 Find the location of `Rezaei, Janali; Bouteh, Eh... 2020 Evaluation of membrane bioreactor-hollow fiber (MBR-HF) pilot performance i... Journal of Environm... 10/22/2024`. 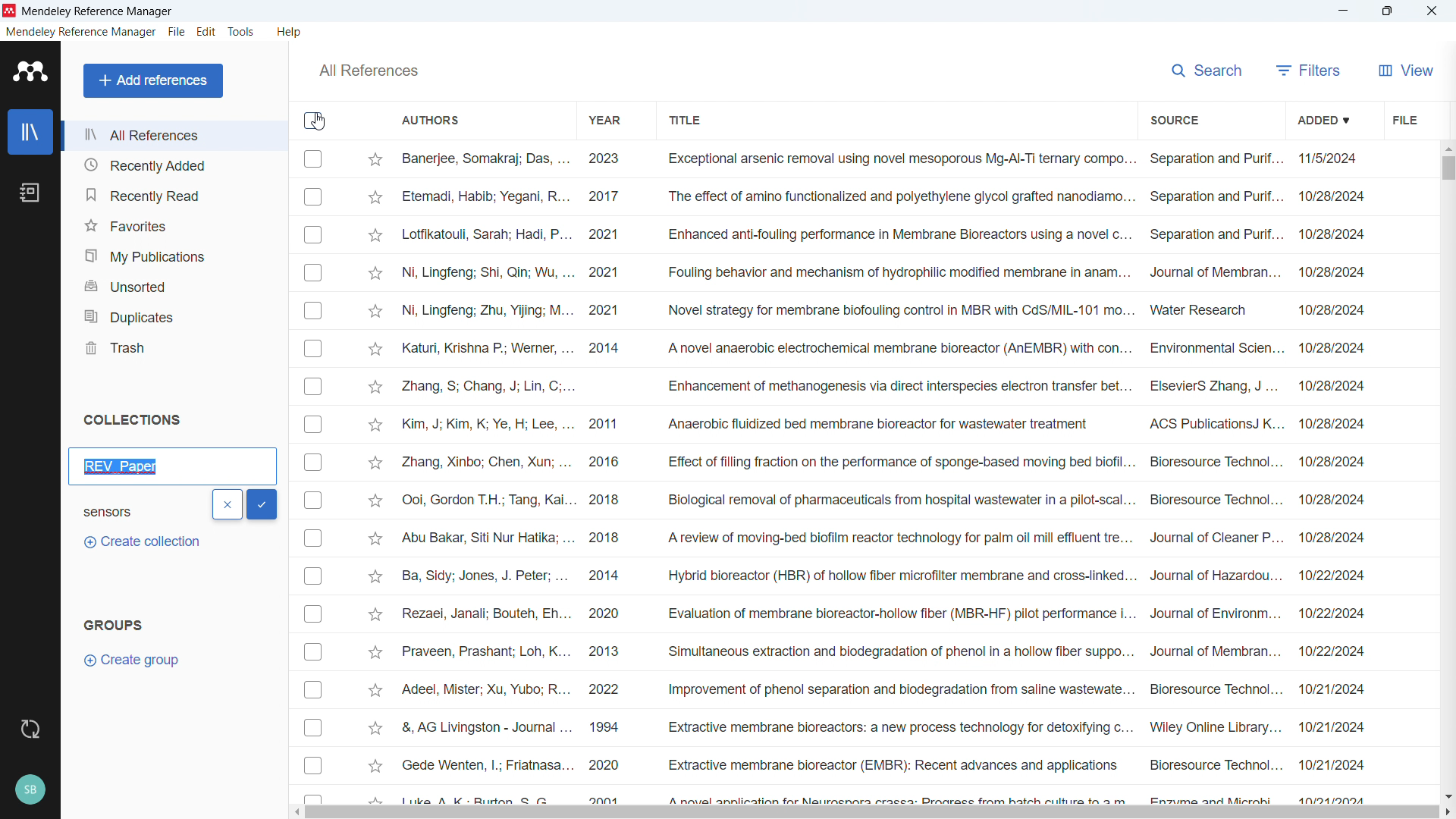

Rezaei, Janali; Bouteh, Eh... 2020 Evaluation of membrane bioreactor-hollow fiber (MBR-HF) pilot performance i... Journal of Environm... 10/22/2024 is located at coordinates (883, 613).